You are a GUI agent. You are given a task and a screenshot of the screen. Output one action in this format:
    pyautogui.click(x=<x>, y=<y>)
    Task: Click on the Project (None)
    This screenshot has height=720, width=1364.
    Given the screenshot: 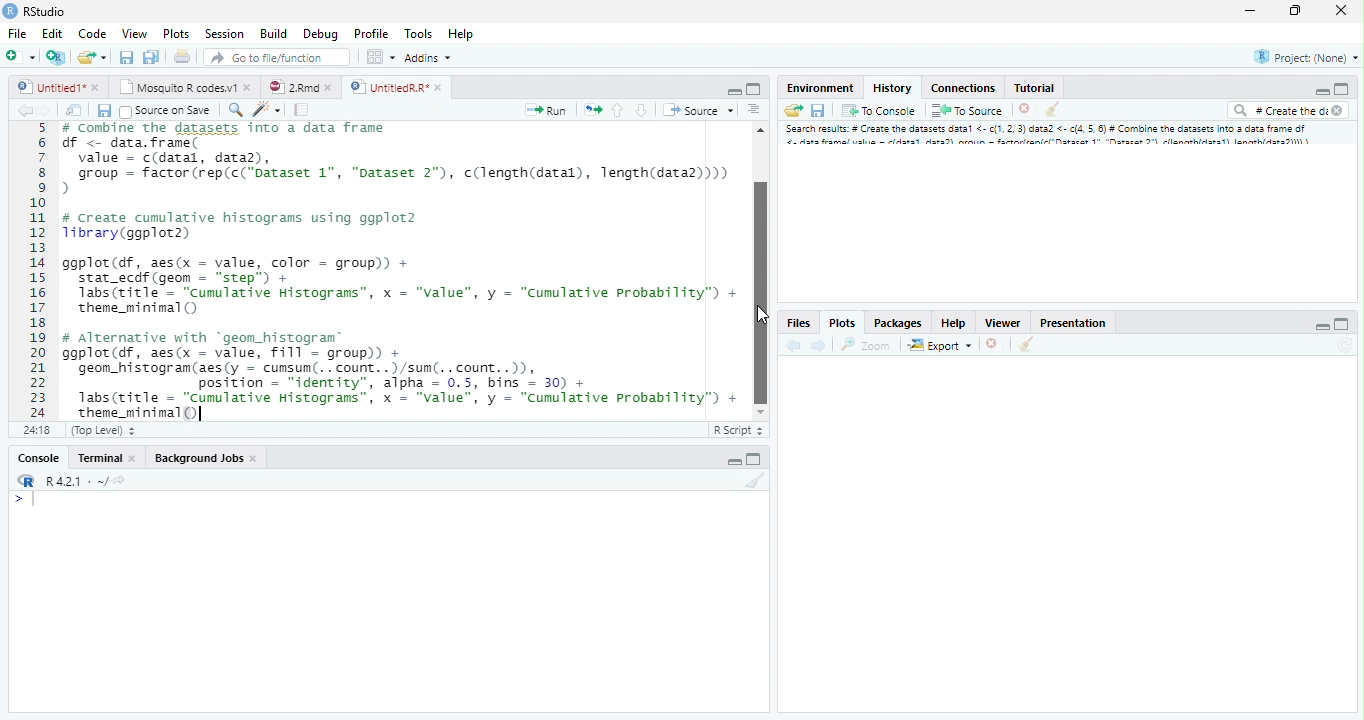 What is the action you would take?
    pyautogui.click(x=1308, y=57)
    